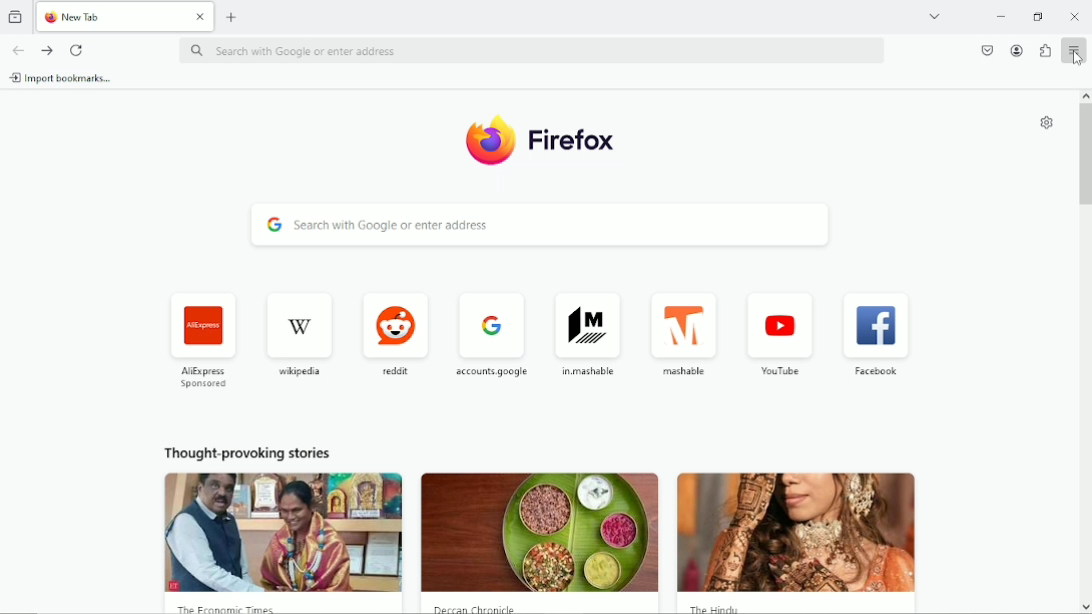 This screenshot has width=1092, height=614. Describe the element at coordinates (1047, 121) in the screenshot. I see `personalize new tab` at that location.